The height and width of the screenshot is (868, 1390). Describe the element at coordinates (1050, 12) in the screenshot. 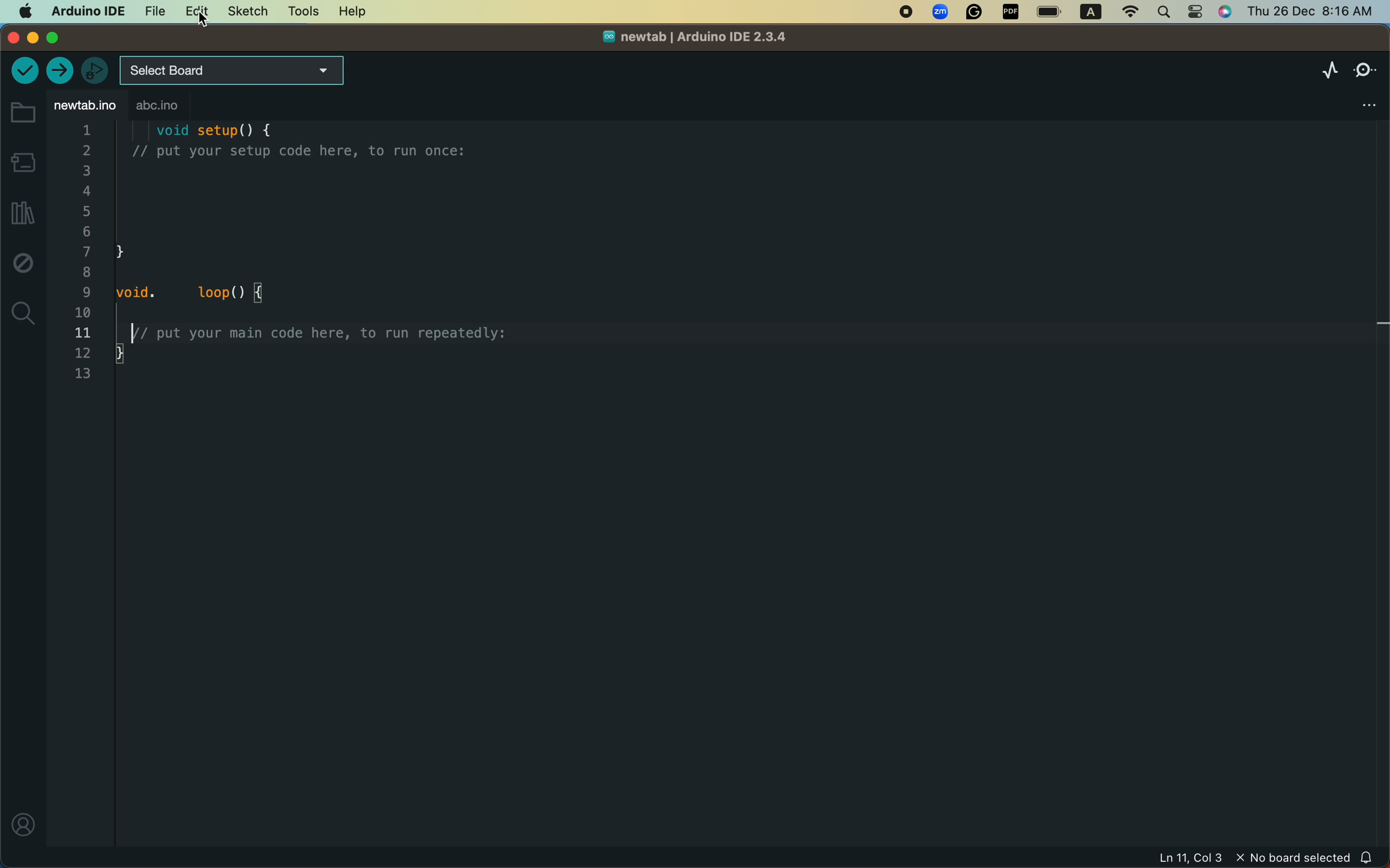

I see `charge` at that location.